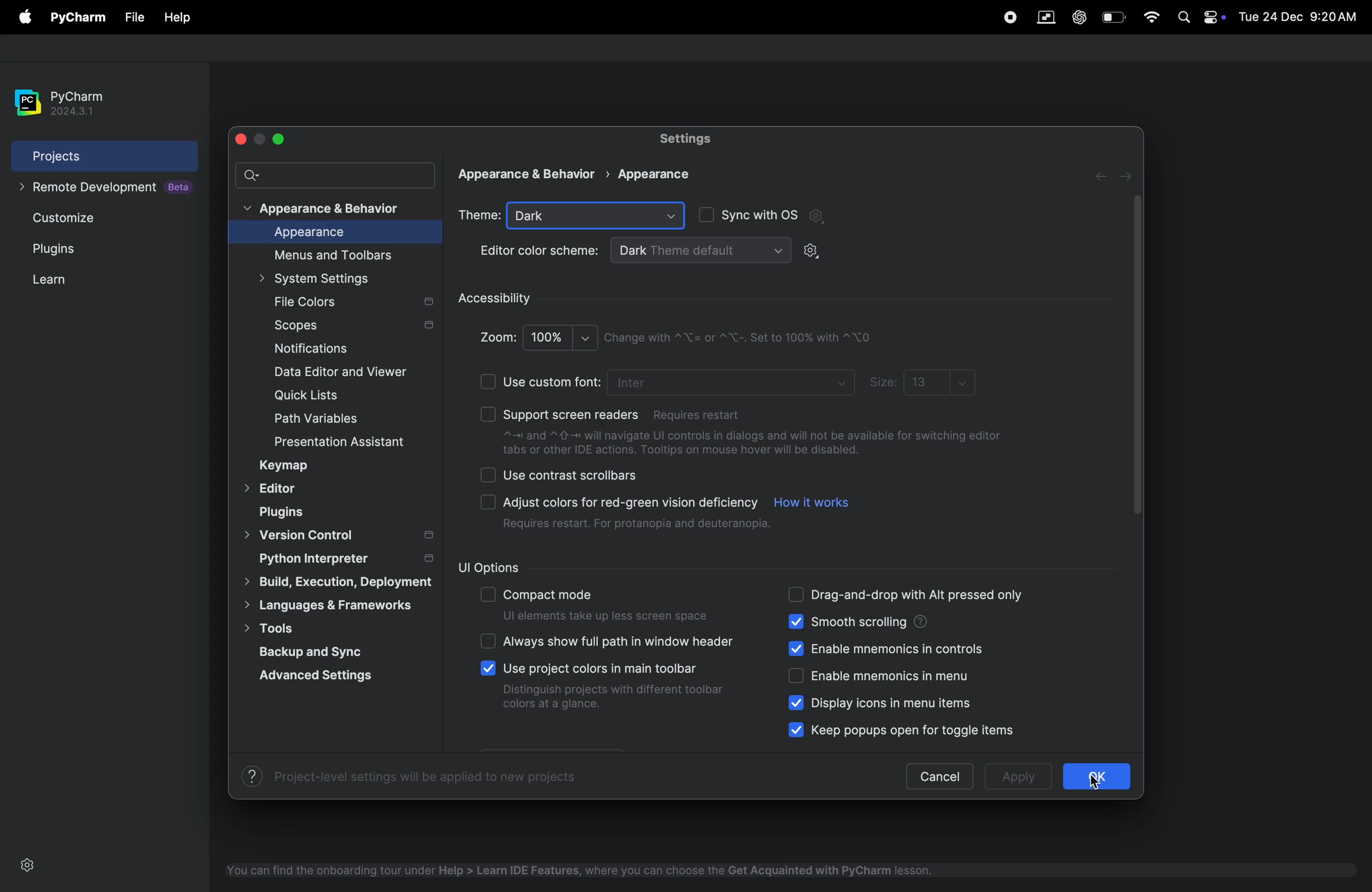 This screenshot has height=892, width=1372. I want to click on back, so click(1104, 176).